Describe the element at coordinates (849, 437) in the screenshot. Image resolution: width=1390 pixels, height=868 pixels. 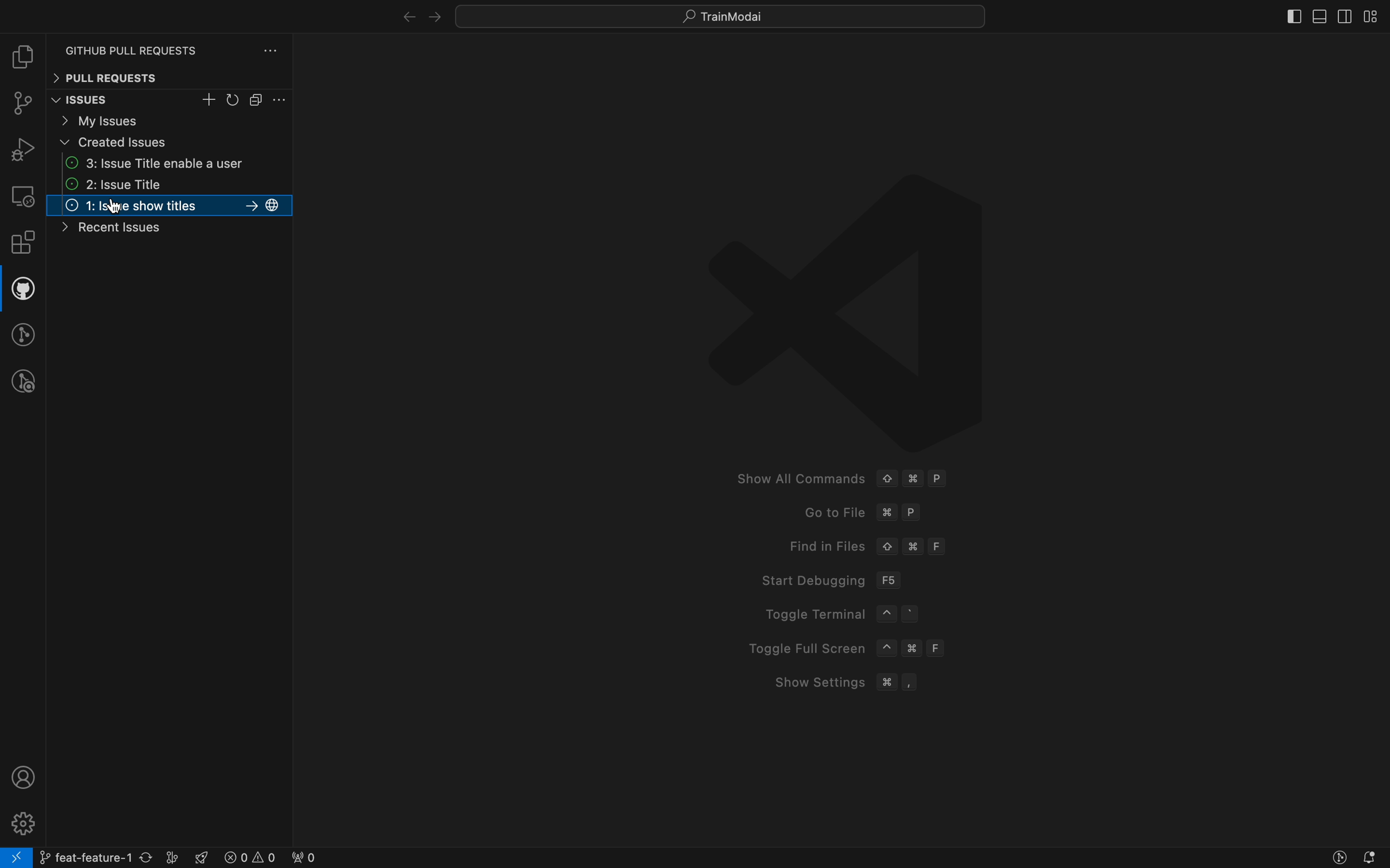
I see `welcome screen` at that location.